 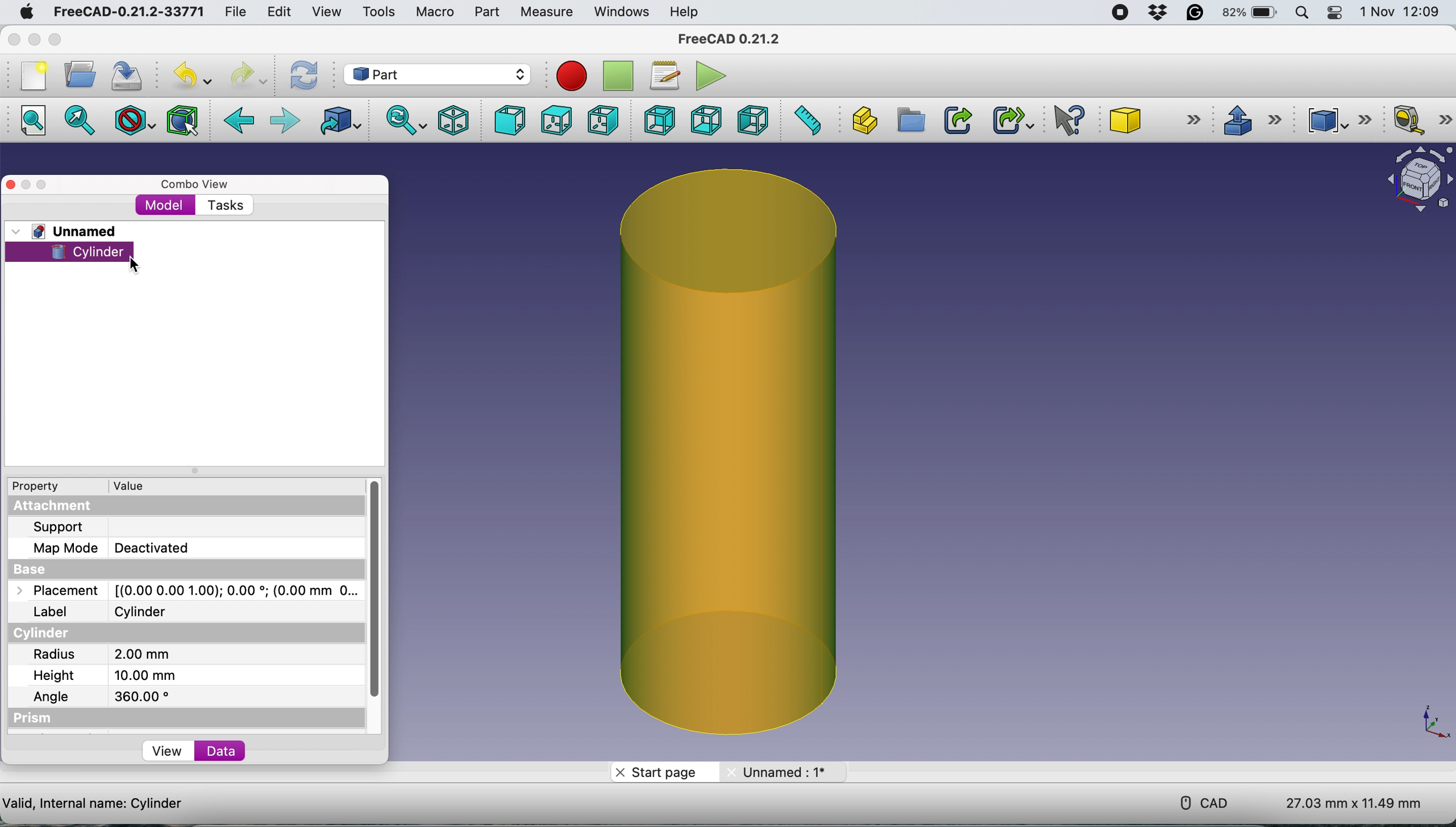 I want to click on stop recording macros, so click(x=617, y=76).